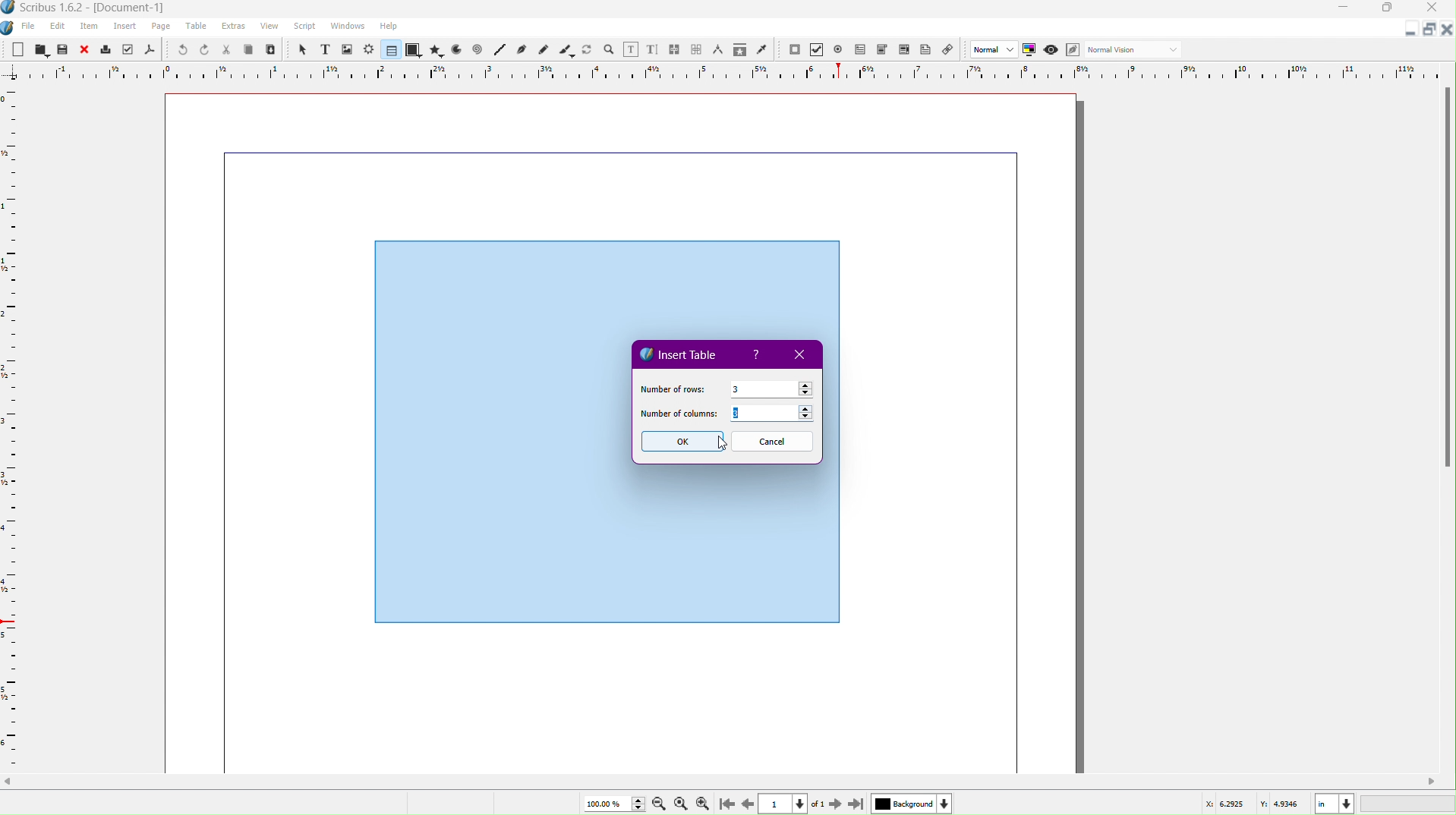 The height and width of the screenshot is (815, 1456). Describe the element at coordinates (656, 804) in the screenshot. I see `Zoom Out` at that location.